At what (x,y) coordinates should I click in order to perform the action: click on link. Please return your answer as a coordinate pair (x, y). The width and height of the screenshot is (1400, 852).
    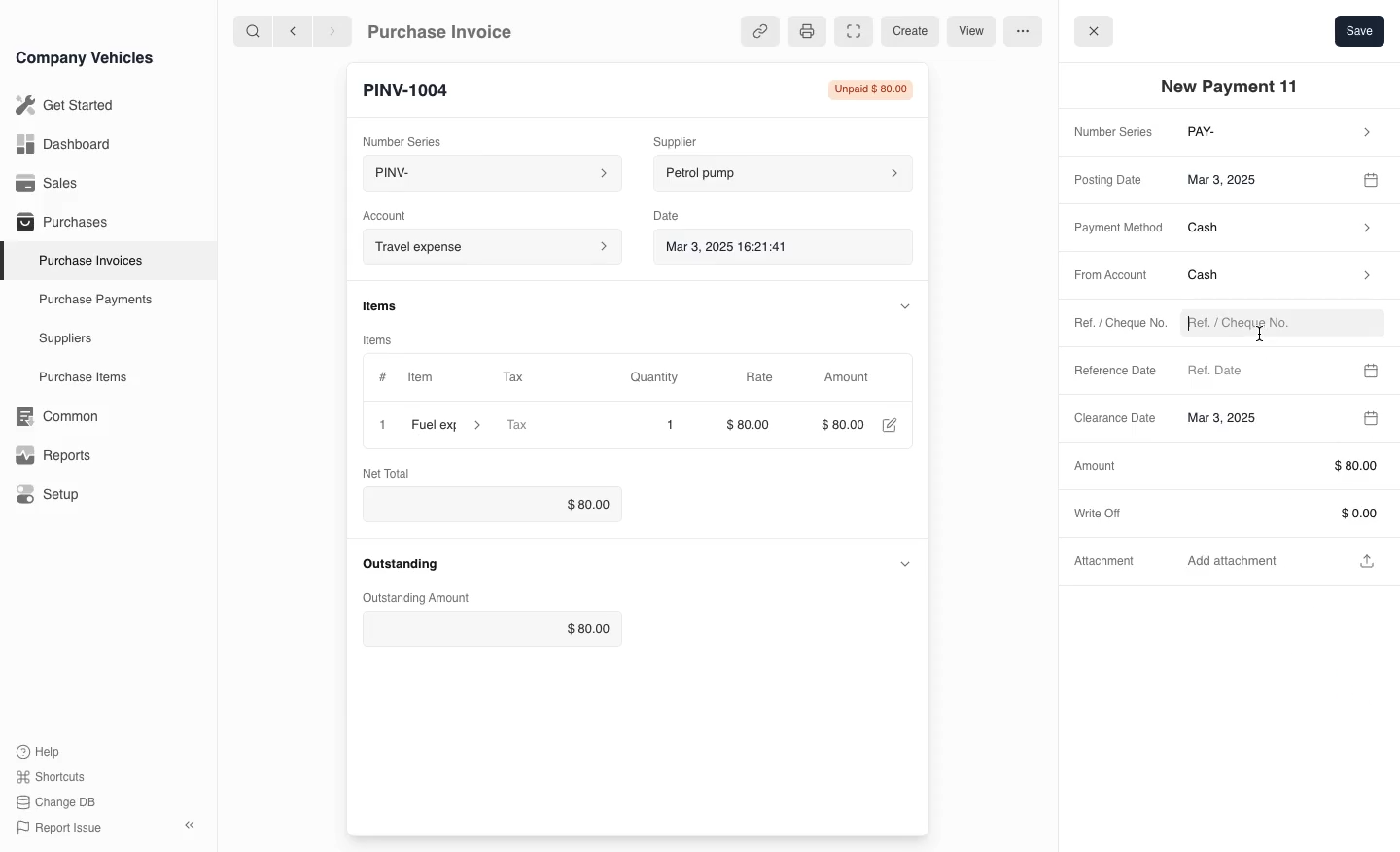
    Looking at the image, I should click on (756, 31).